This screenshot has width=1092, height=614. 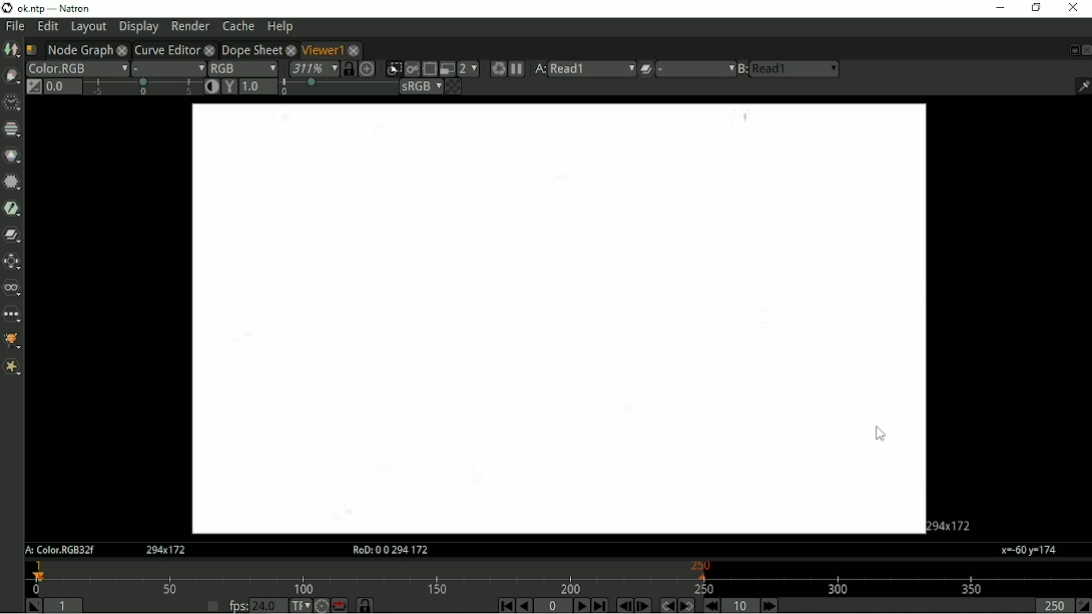 I want to click on Playback in point, so click(x=63, y=606).